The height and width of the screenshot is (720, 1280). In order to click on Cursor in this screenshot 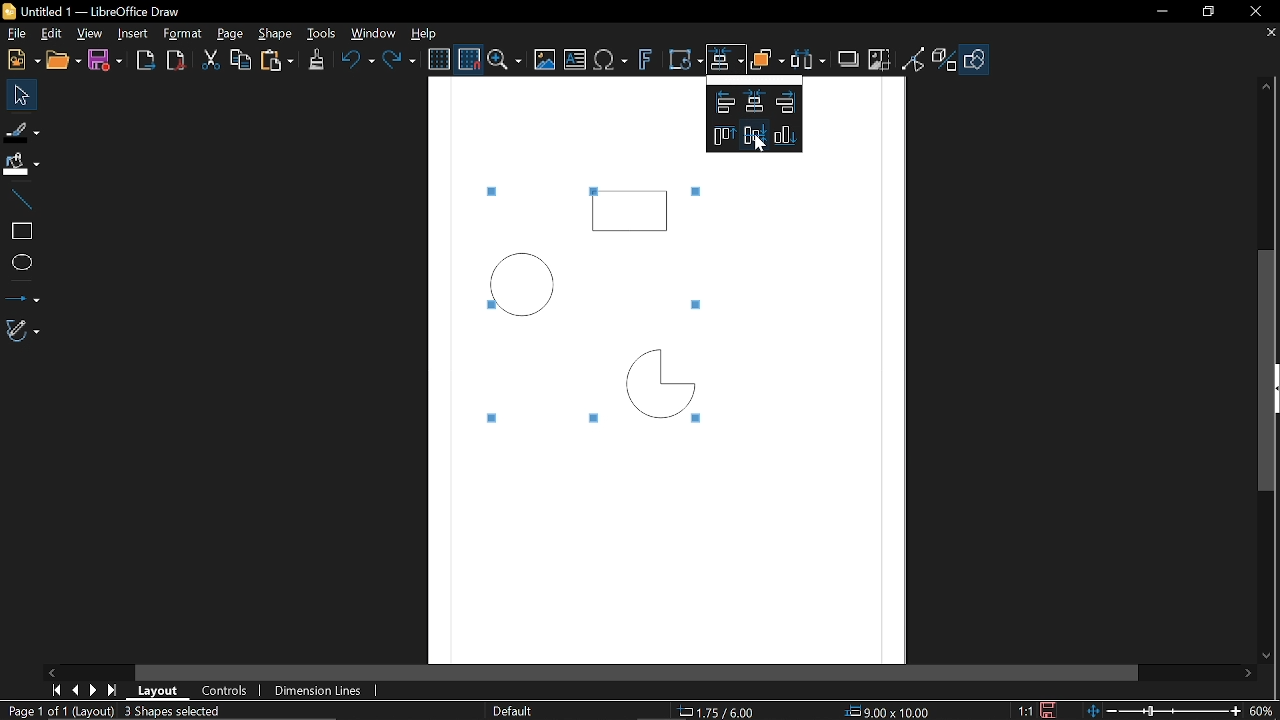, I will do `click(758, 148)`.